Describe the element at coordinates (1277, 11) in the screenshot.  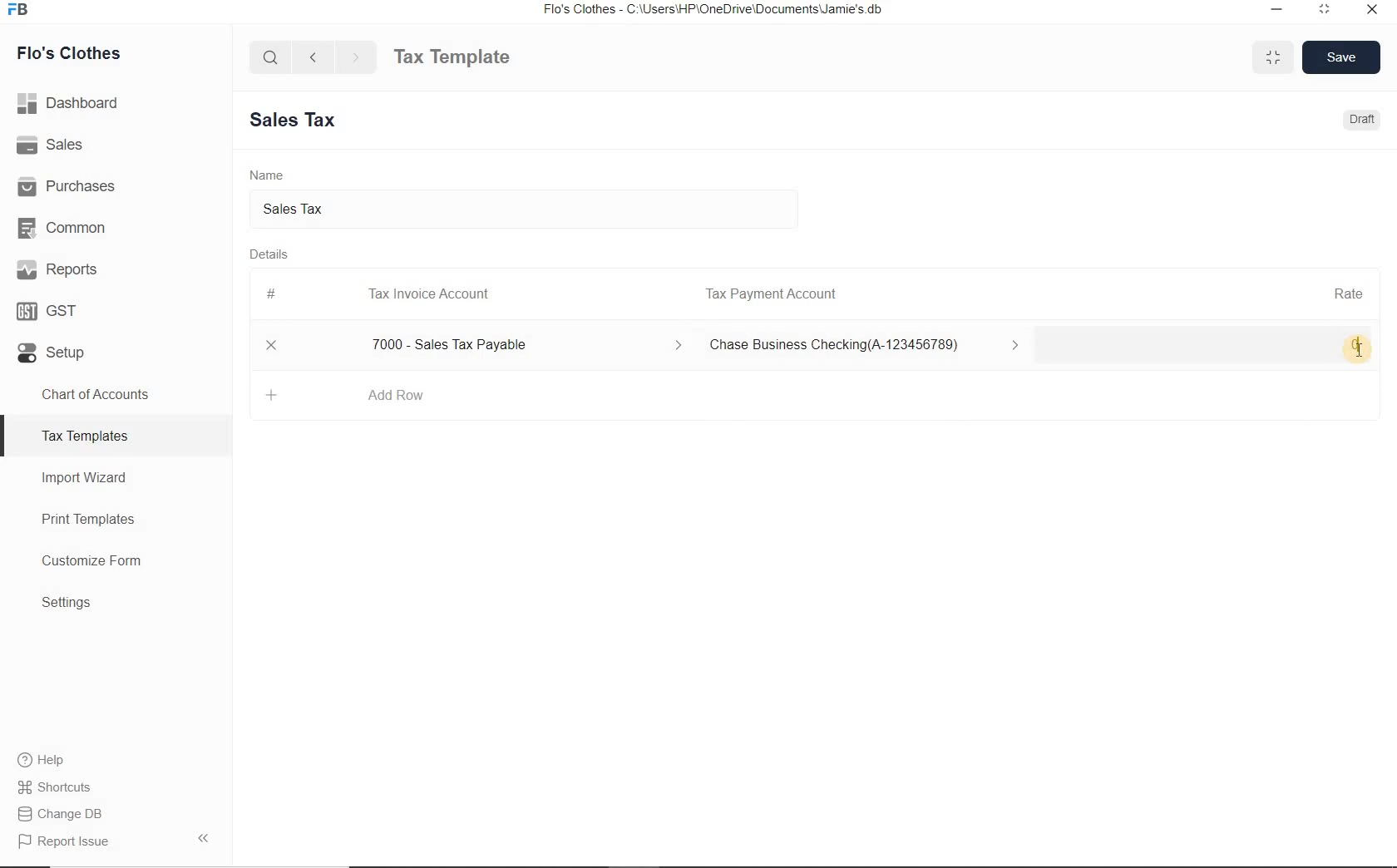
I see `Minimize` at that location.